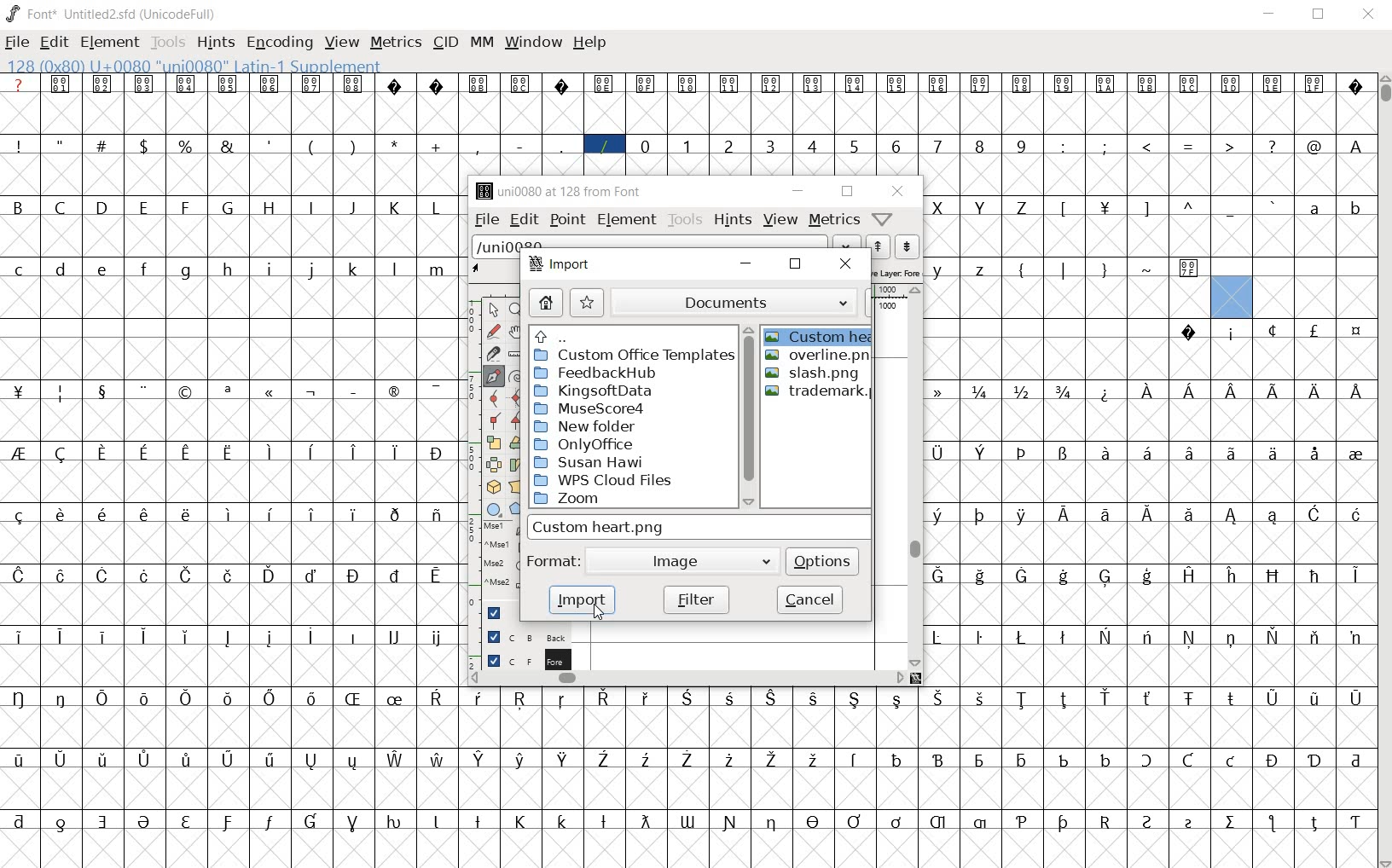 The image size is (1392, 868). Describe the element at coordinates (228, 454) in the screenshot. I see `glyph` at that location.